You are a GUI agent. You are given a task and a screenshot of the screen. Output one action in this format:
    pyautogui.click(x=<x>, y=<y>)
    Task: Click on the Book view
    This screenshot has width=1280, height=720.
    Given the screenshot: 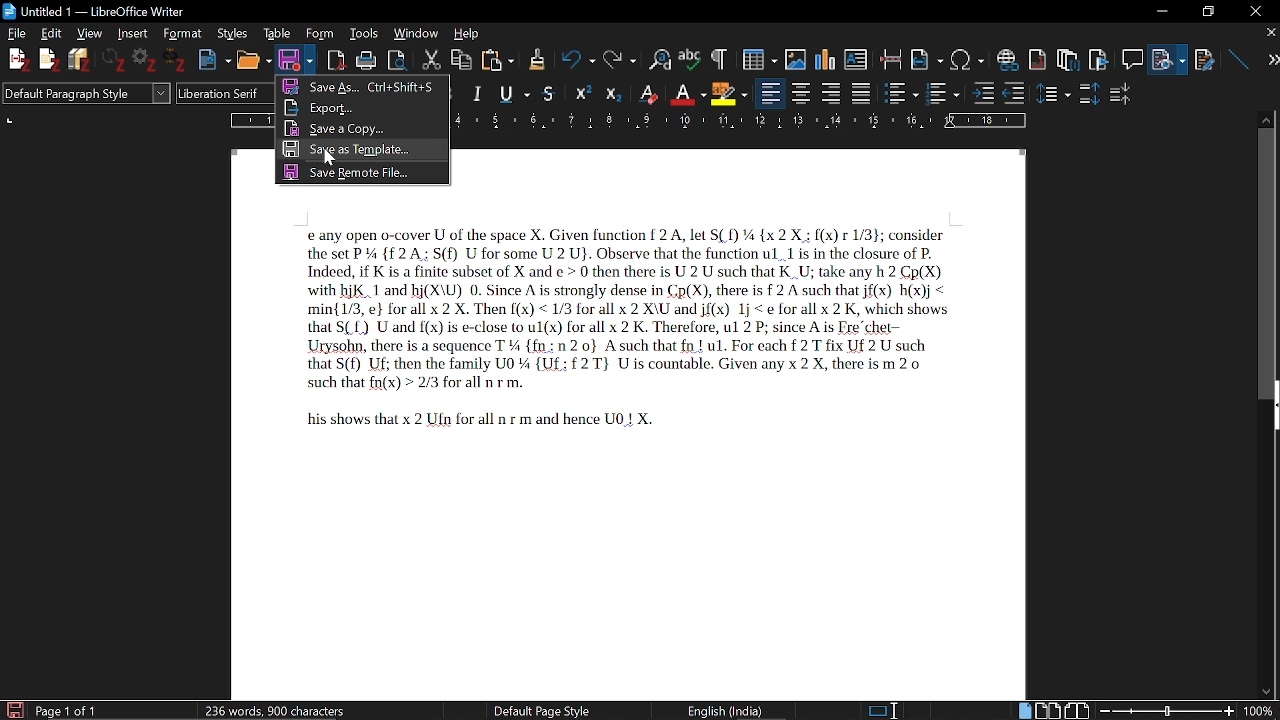 What is the action you would take?
    pyautogui.click(x=1077, y=709)
    